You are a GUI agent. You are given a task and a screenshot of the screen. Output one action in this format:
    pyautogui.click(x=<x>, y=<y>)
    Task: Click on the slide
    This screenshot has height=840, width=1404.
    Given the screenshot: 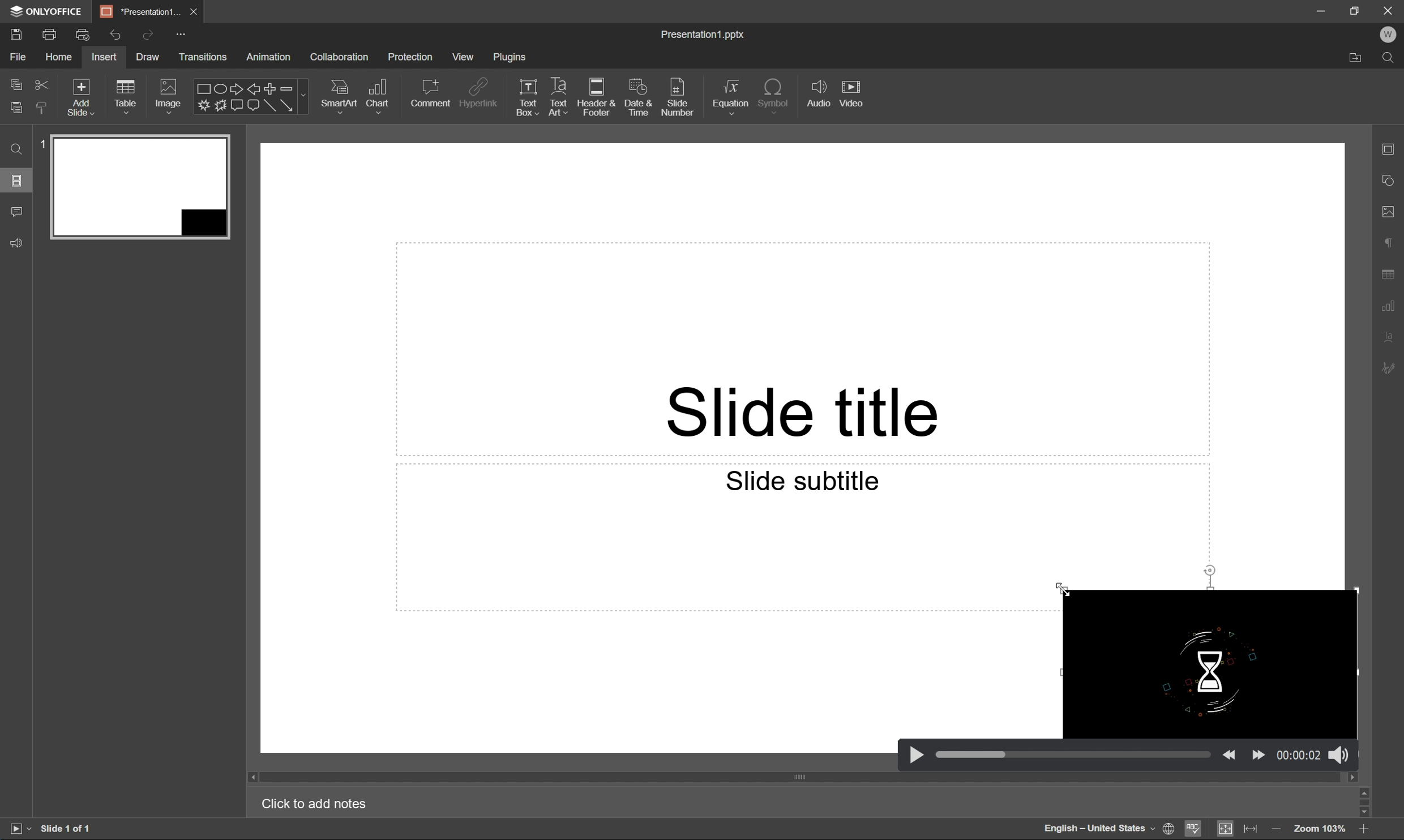 What is the action you would take?
    pyautogui.click(x=140, y=185)
    